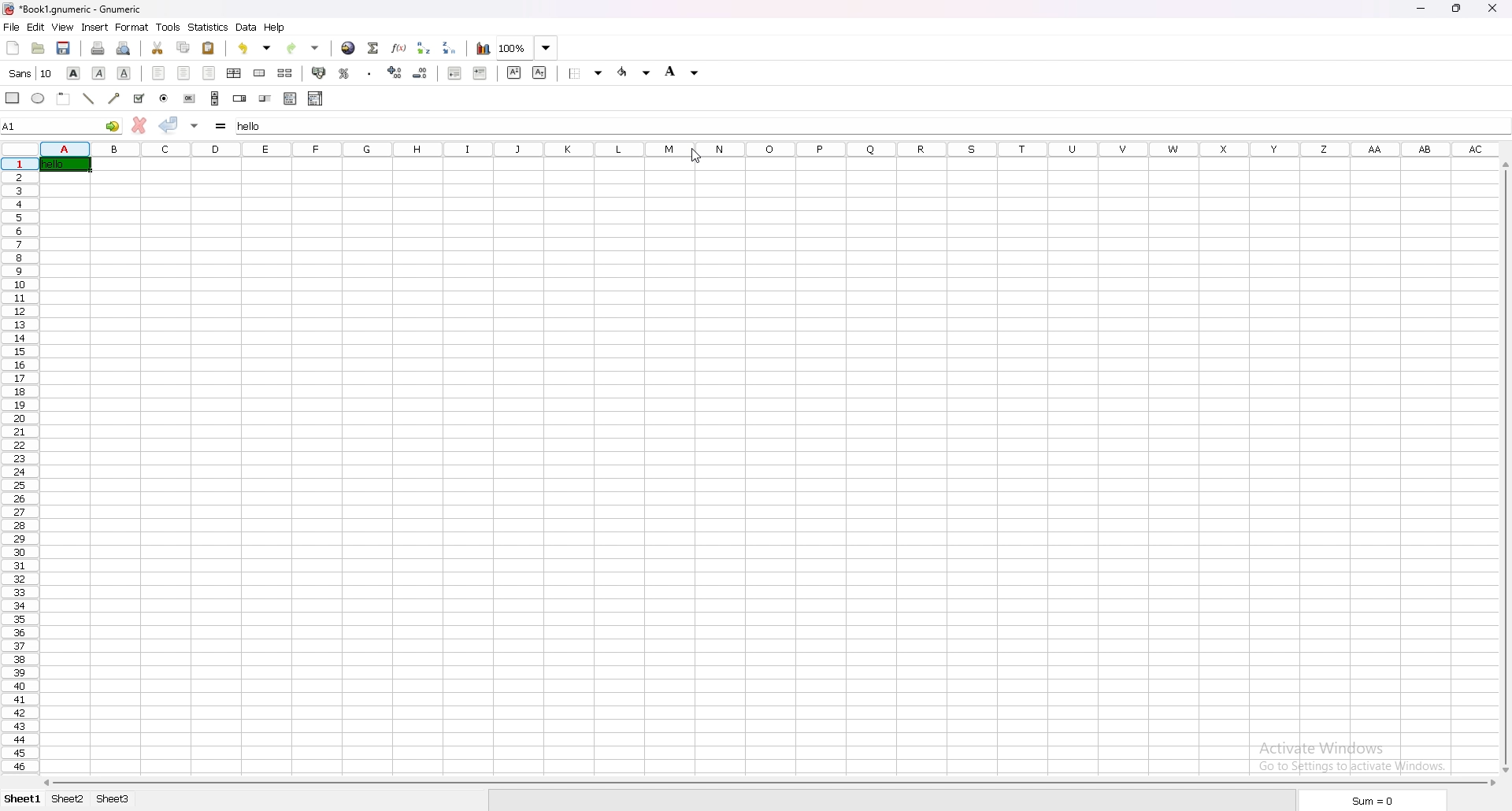  What do you see at coordinates (19, 465) in the screenshot?
I see `rows` at bounding box center [19, 465].